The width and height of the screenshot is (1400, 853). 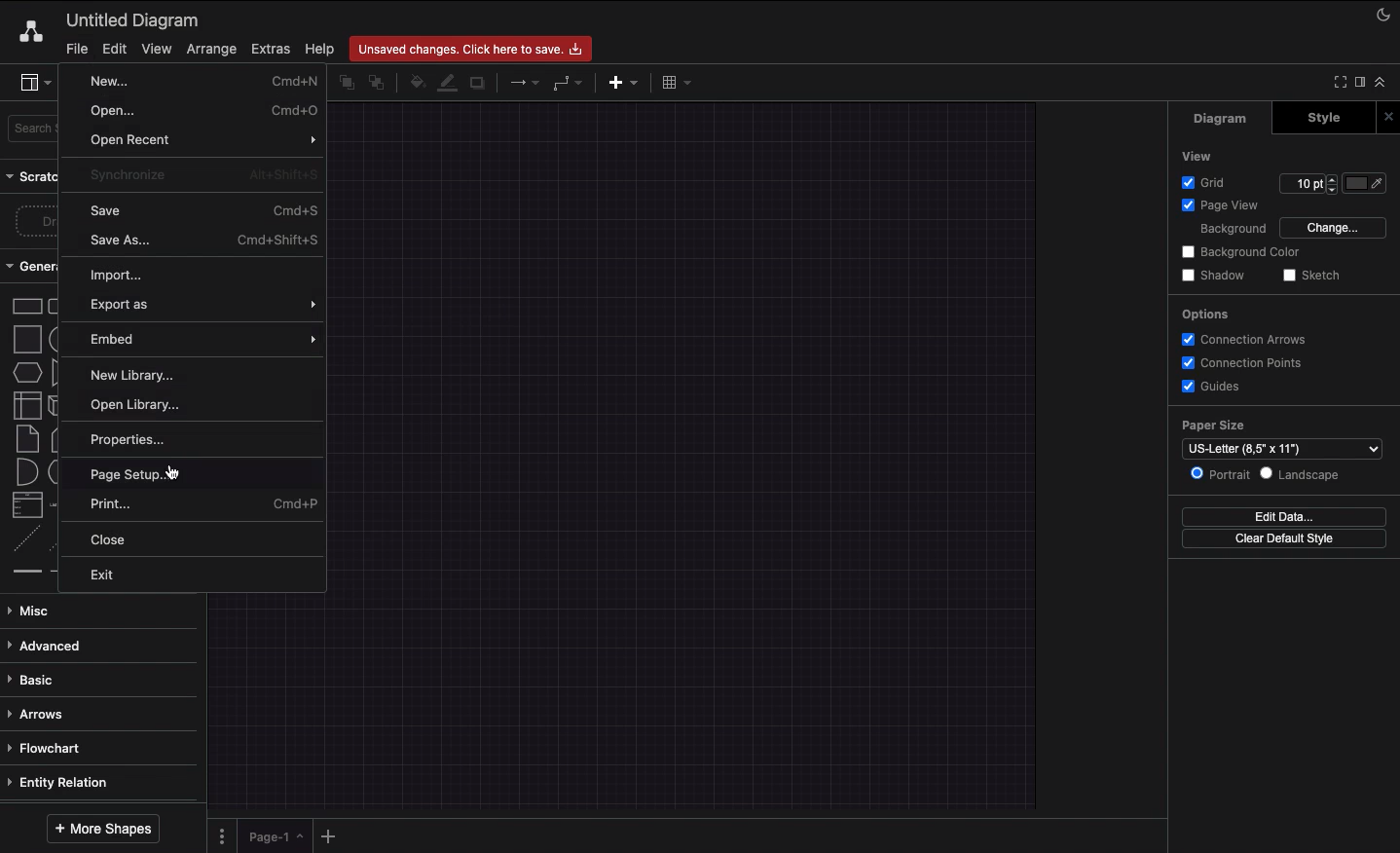 I want to click on View, so click(x=1198, y=155).